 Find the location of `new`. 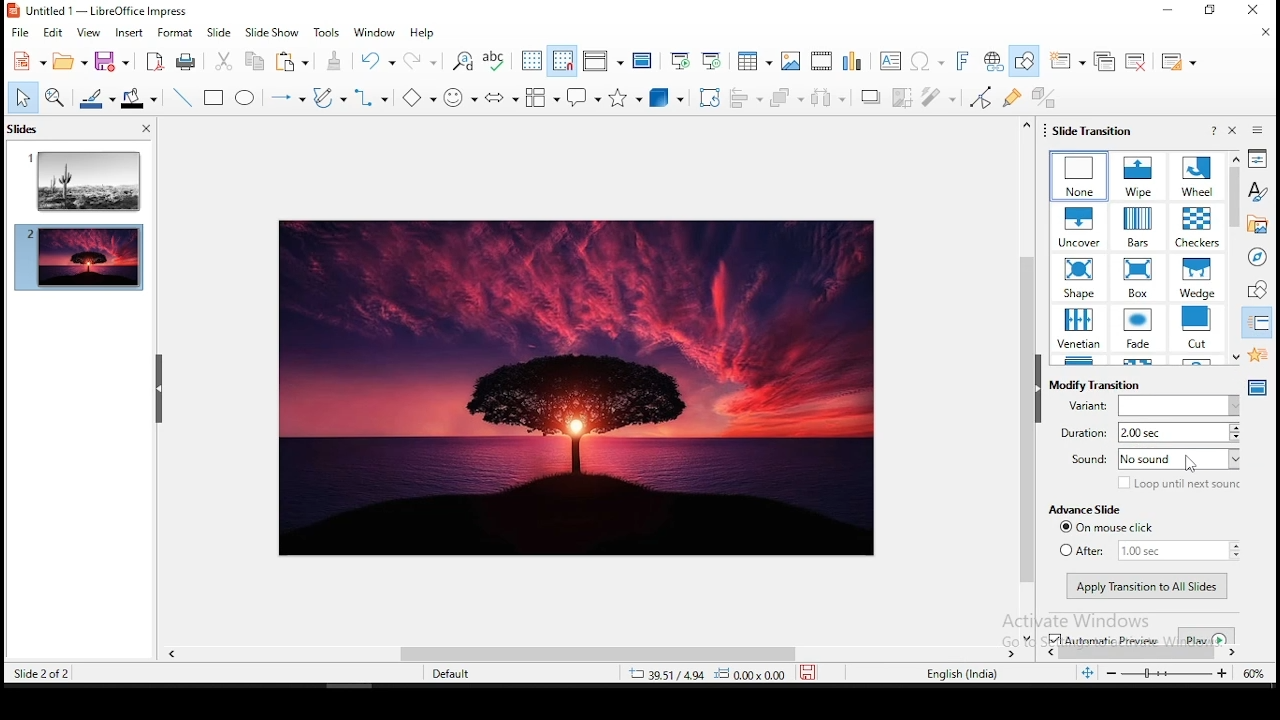

new is located at coordinates (30, 61).